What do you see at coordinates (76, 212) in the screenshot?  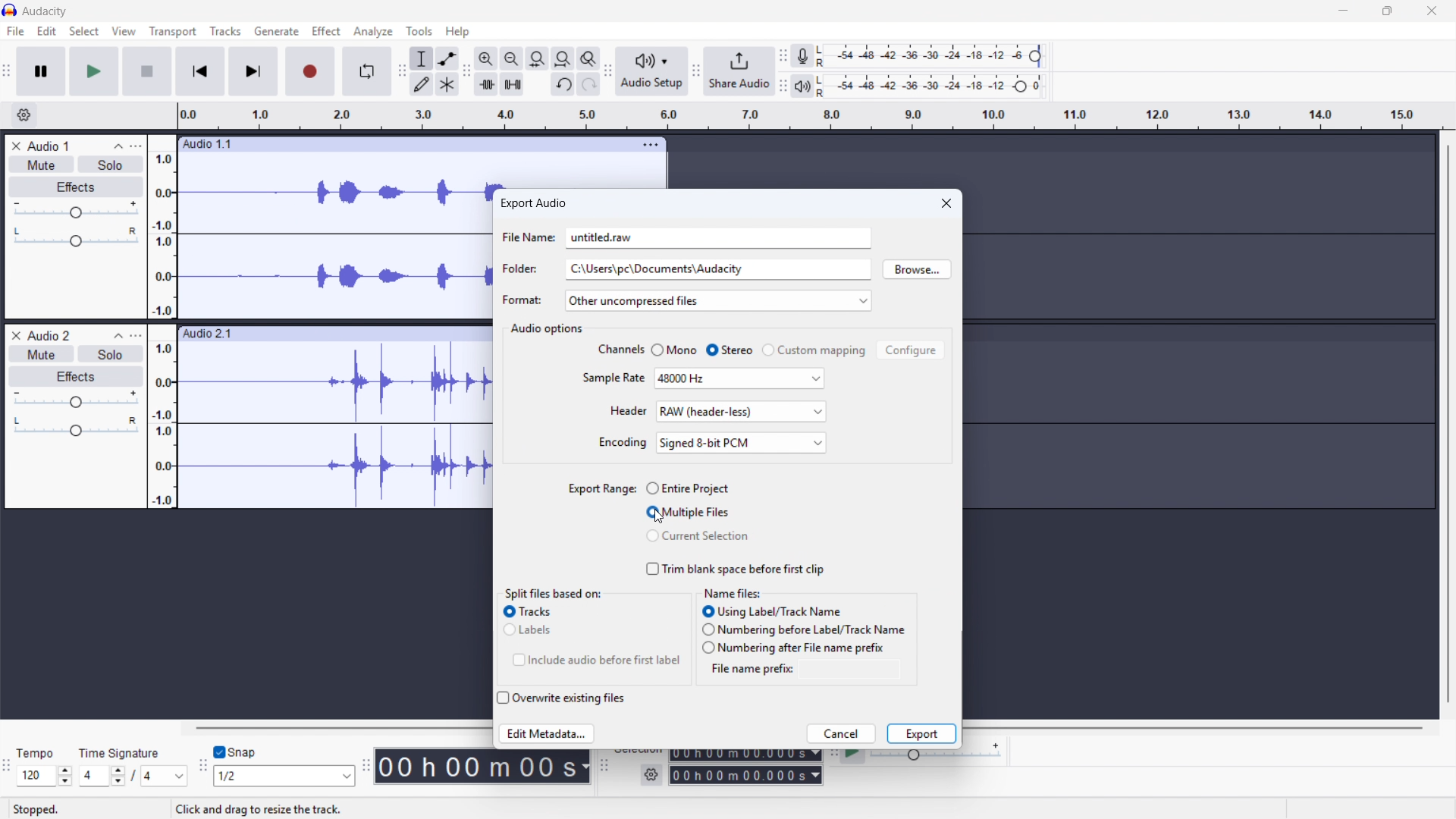 I see `Gain` at bounding box center [76, 212].